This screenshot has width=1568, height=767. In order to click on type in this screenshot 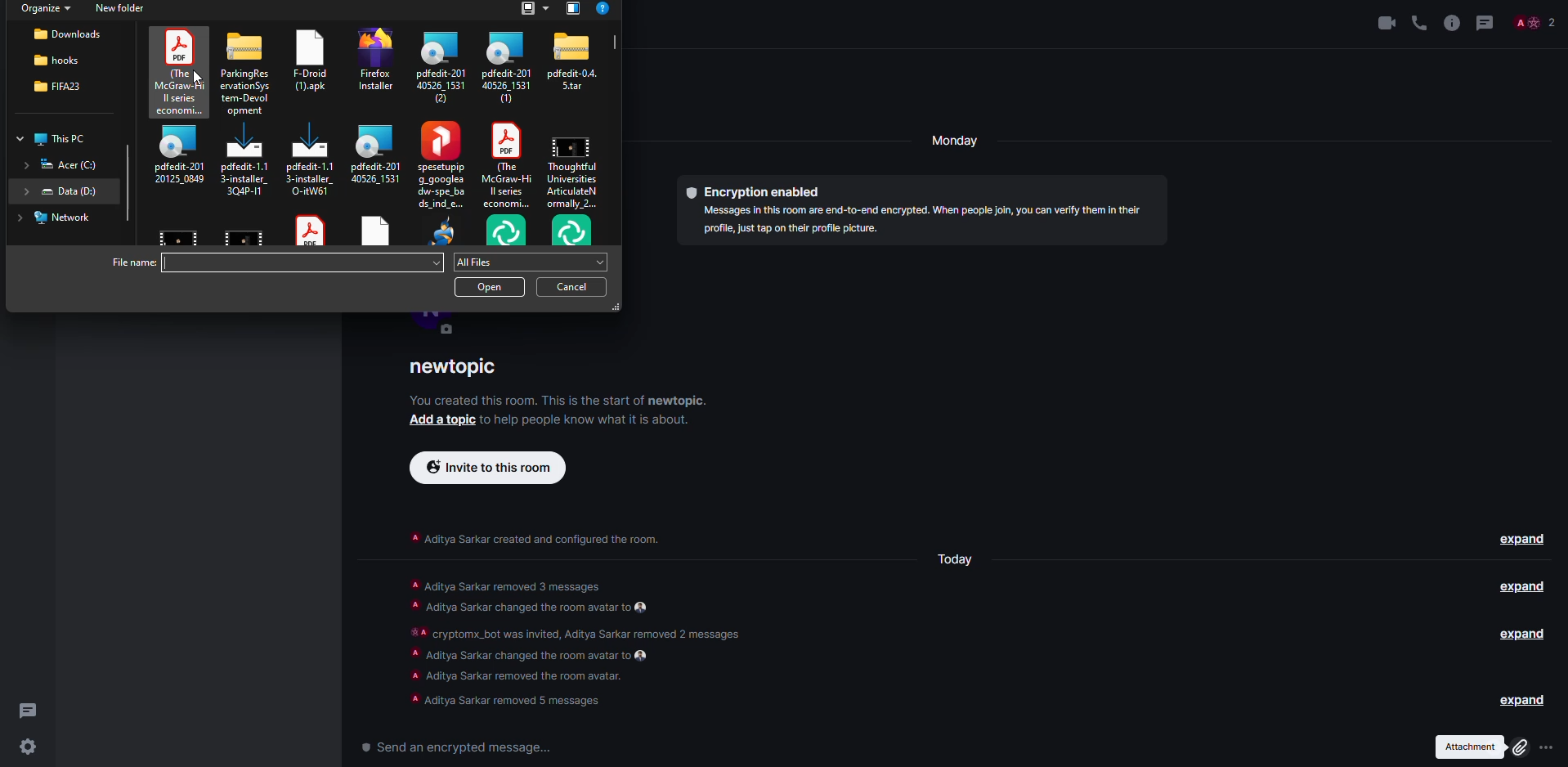, I will do `click(284, 262)`.